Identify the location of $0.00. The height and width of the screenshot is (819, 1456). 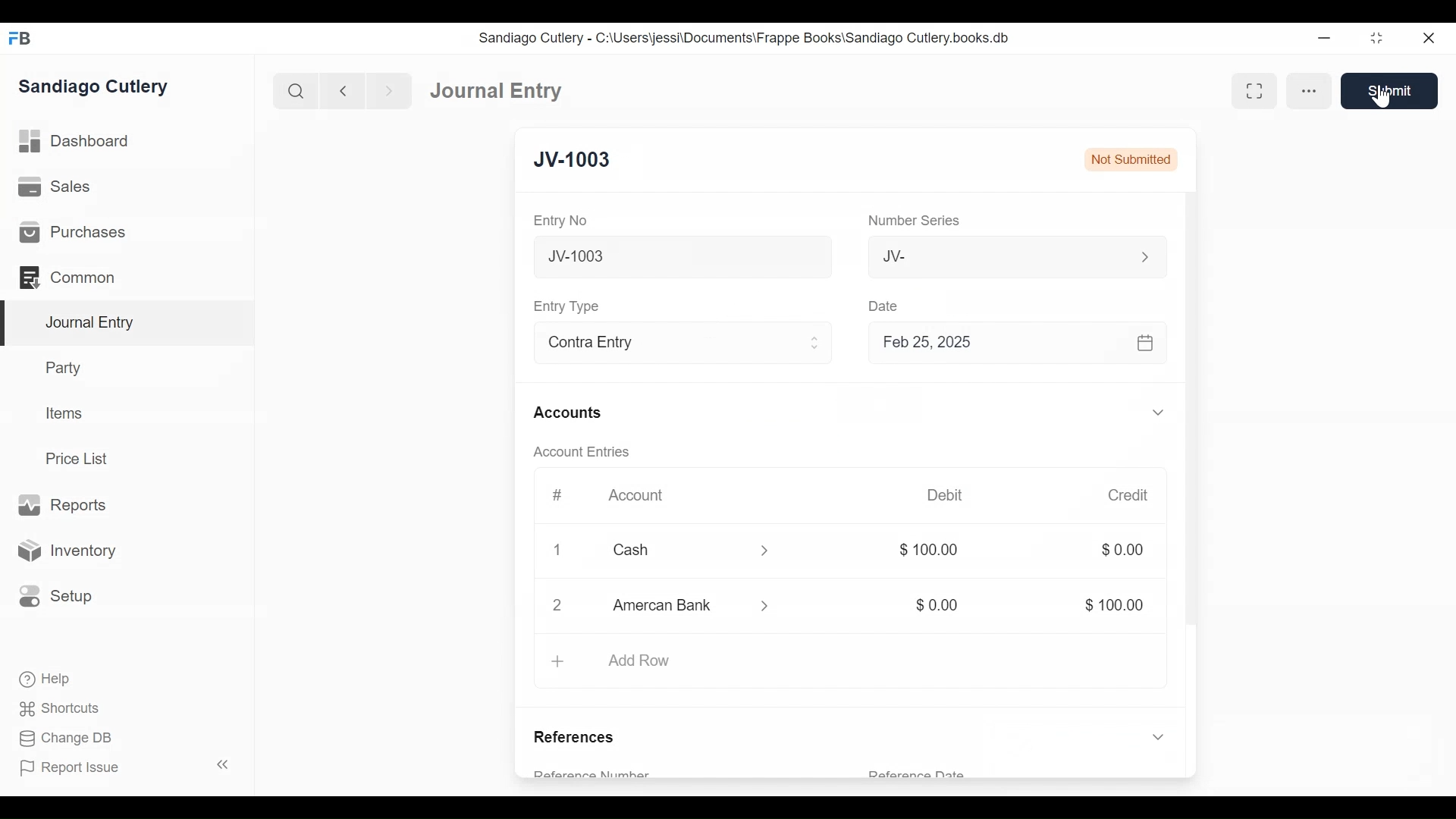
(1127, 551).